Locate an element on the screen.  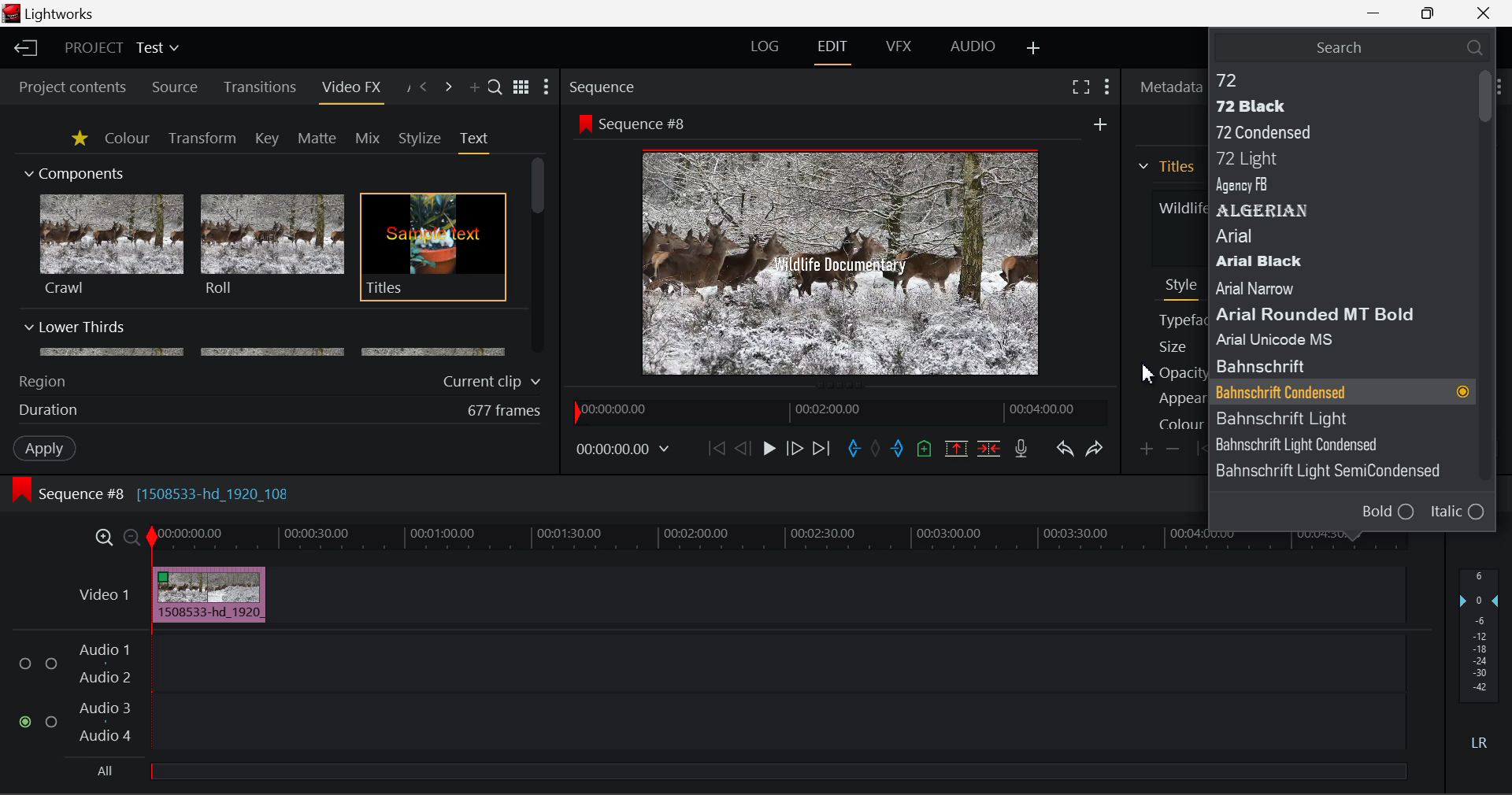
Sequence is located at coordinates (605, 86).